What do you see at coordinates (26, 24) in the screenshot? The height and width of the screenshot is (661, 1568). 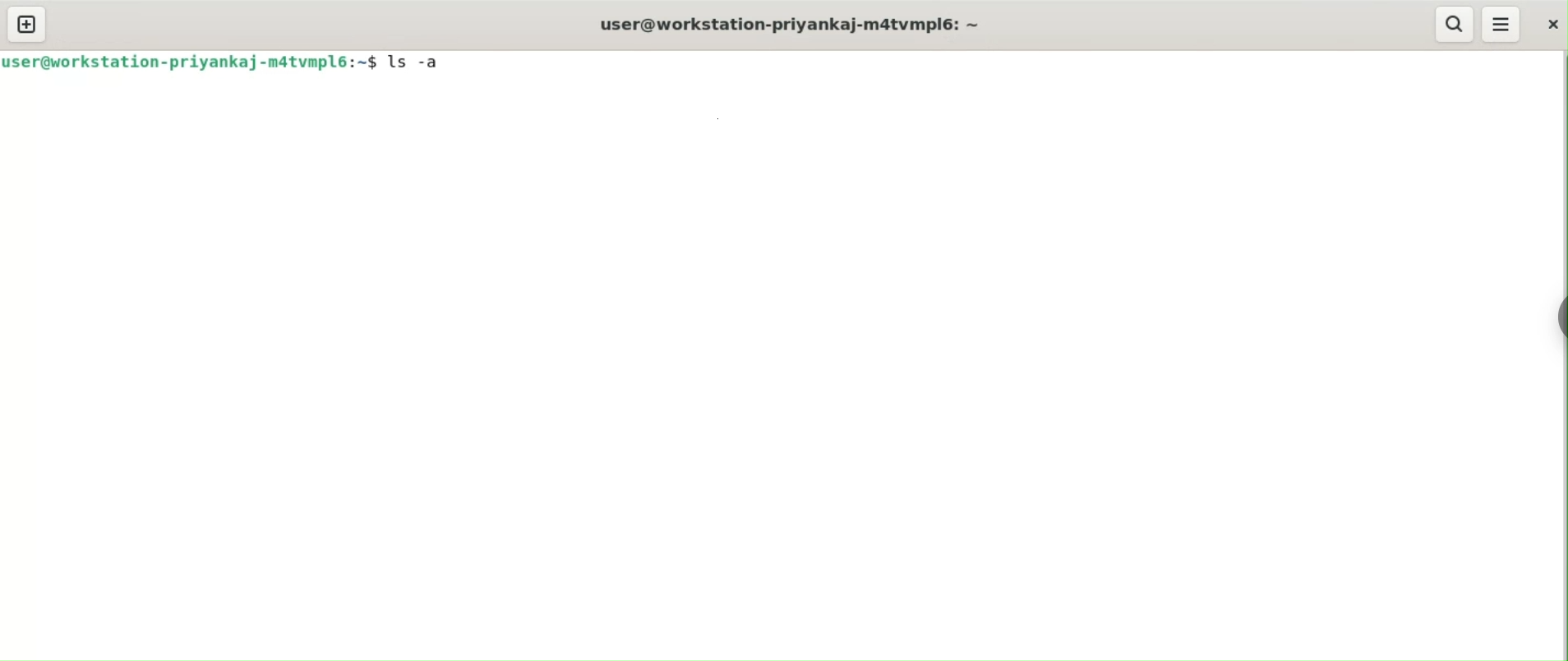 I see `new tab` at bounding box center [26, 24].